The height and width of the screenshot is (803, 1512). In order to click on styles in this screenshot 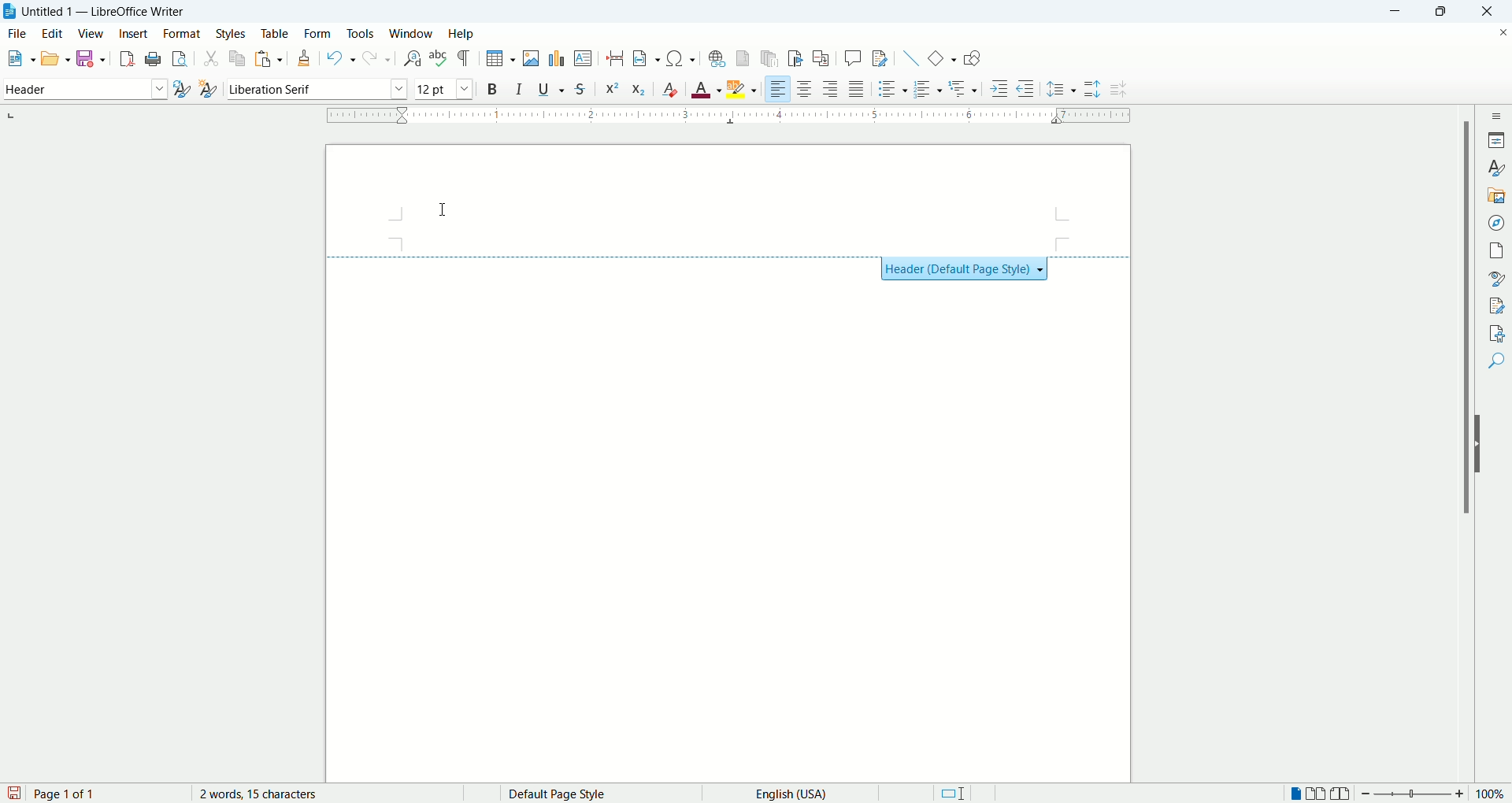, I will do `click(1499, 166)`.